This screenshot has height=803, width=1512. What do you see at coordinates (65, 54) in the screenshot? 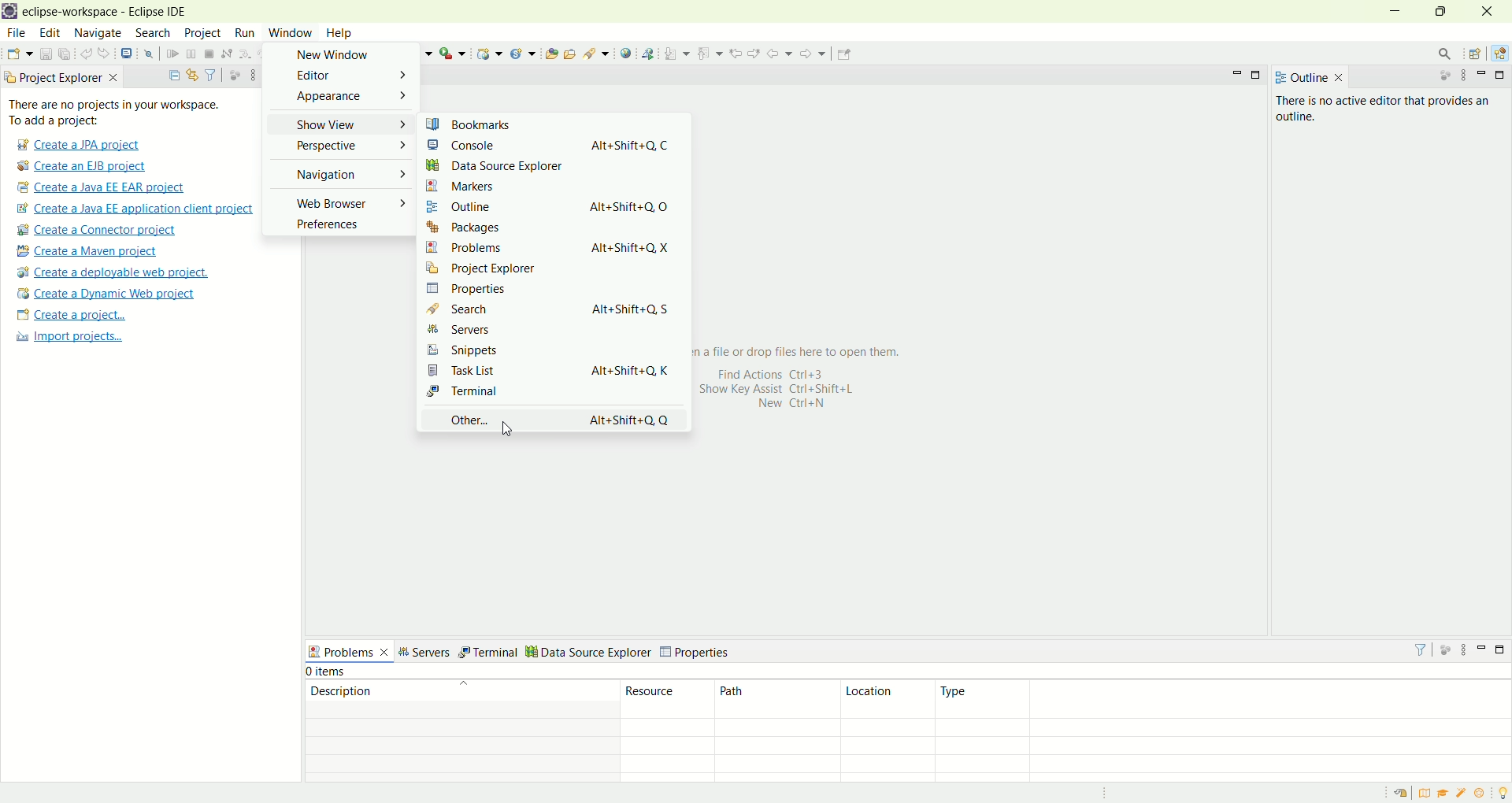
I see `save all` at bounding box center [65, 54].